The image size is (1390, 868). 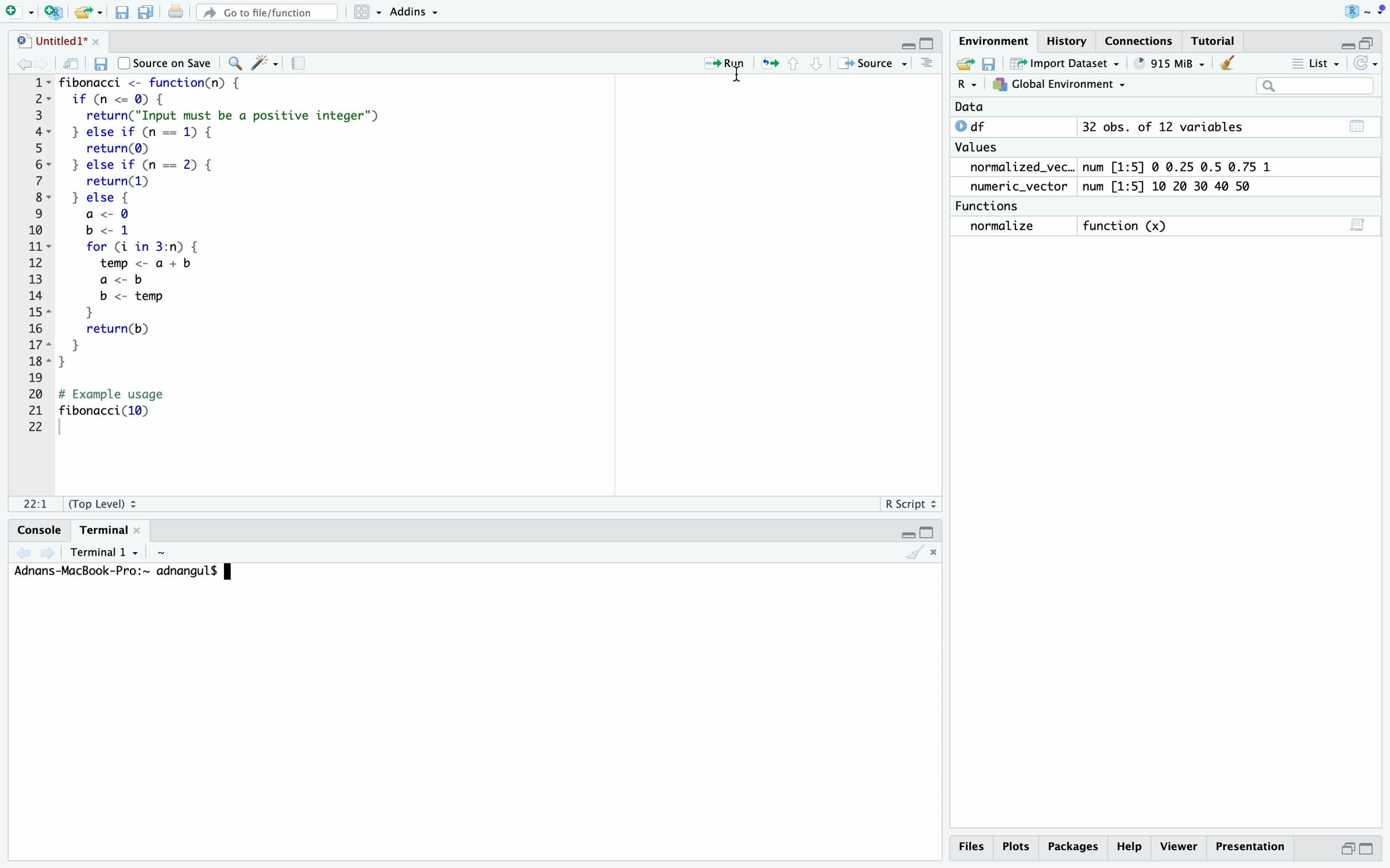 What do you see at coordinates (52, 555) in the screenshot?
I see `show next terminal` at bounding box center [52, 555].